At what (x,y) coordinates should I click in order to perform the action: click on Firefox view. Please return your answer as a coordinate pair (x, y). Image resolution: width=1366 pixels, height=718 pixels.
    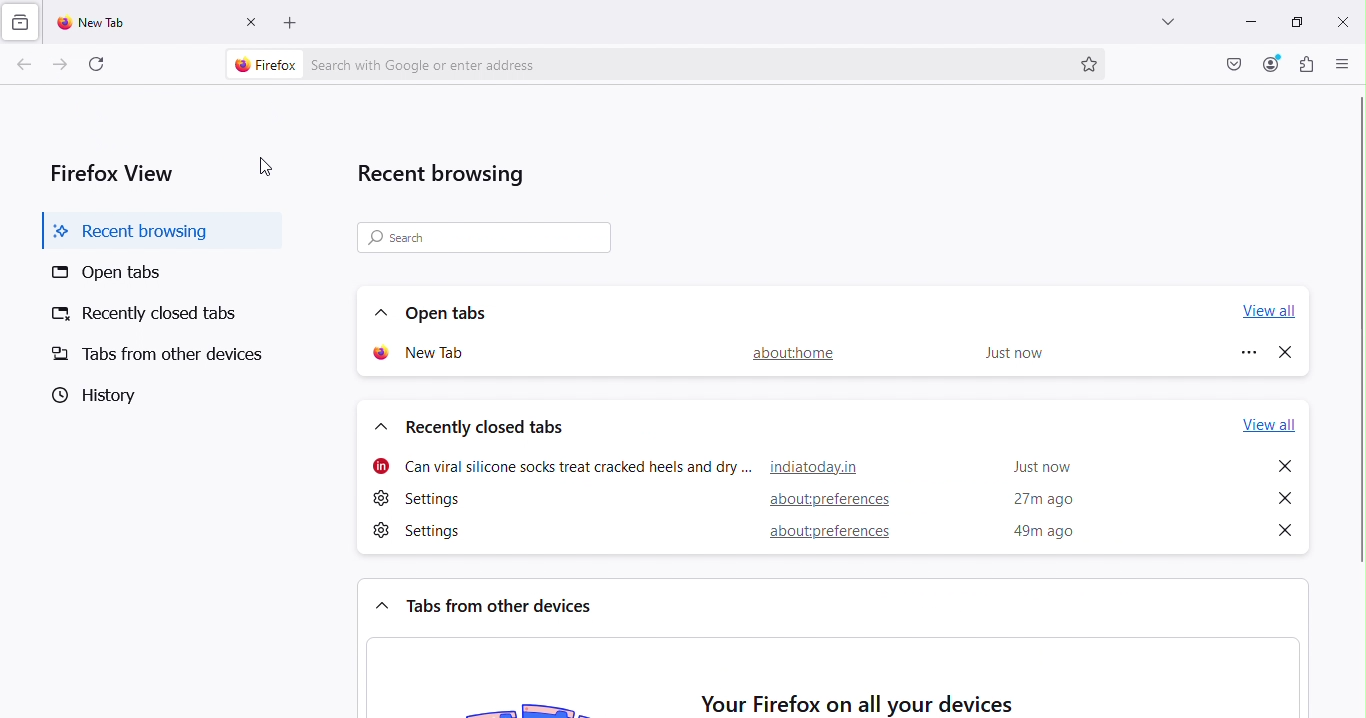
    Looking at the image, I should click on (121, 173).